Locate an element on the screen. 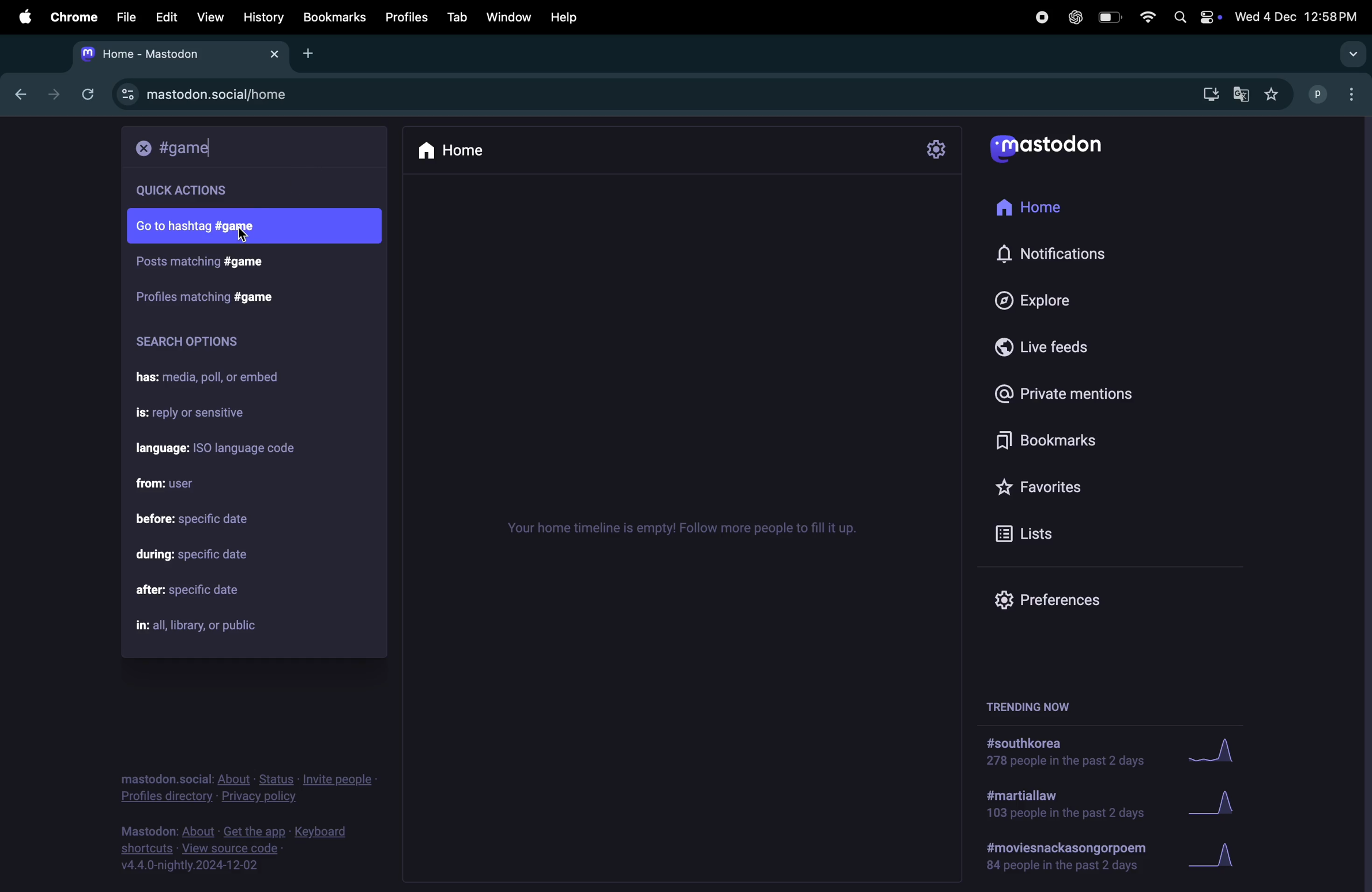 This screenshot has width=1372, height=892. cursor is located at coordinates (243, 236).